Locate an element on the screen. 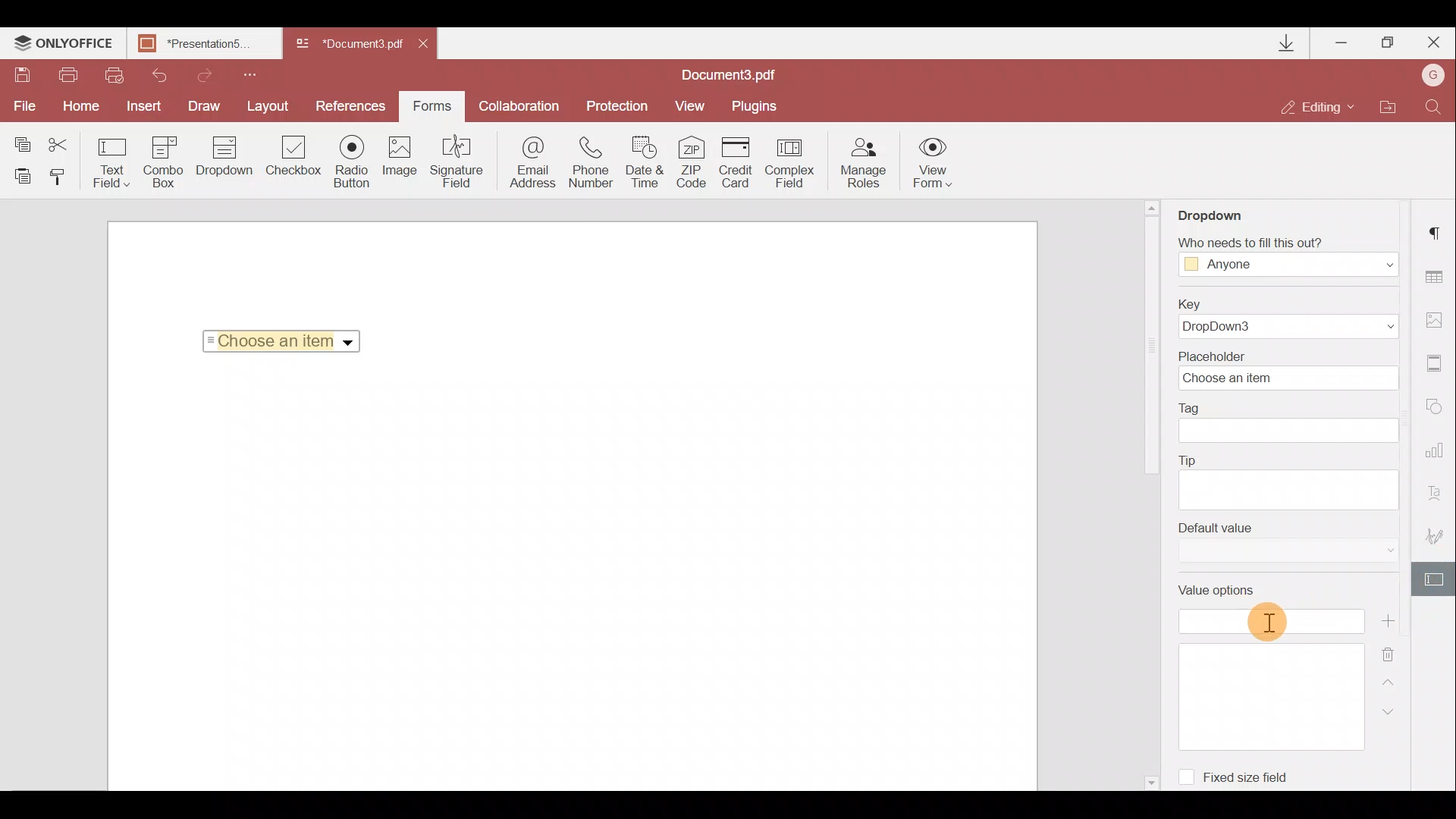  Combo box is located at coordinates (162, 162).